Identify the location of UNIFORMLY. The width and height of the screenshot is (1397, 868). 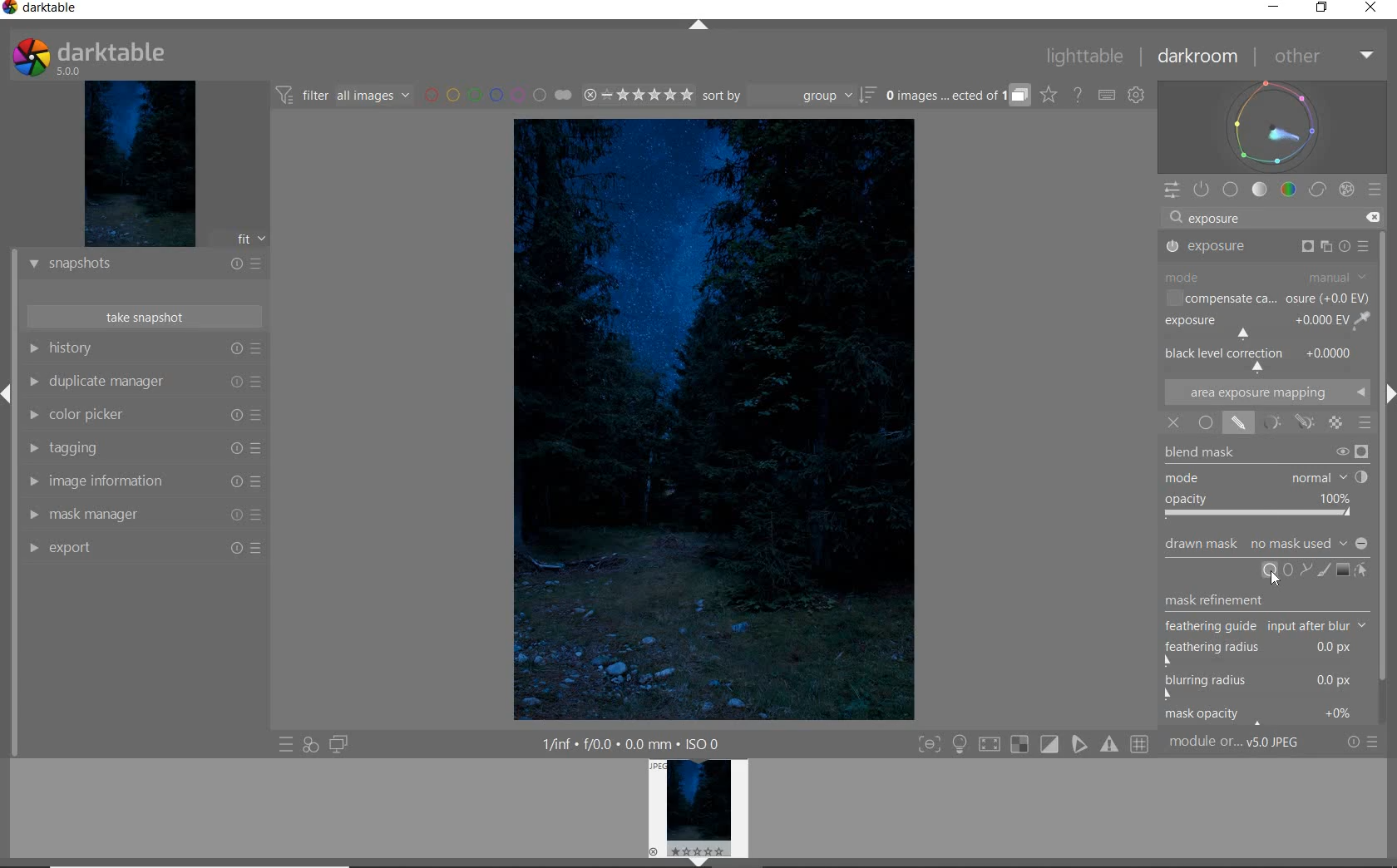
(1203, 423).